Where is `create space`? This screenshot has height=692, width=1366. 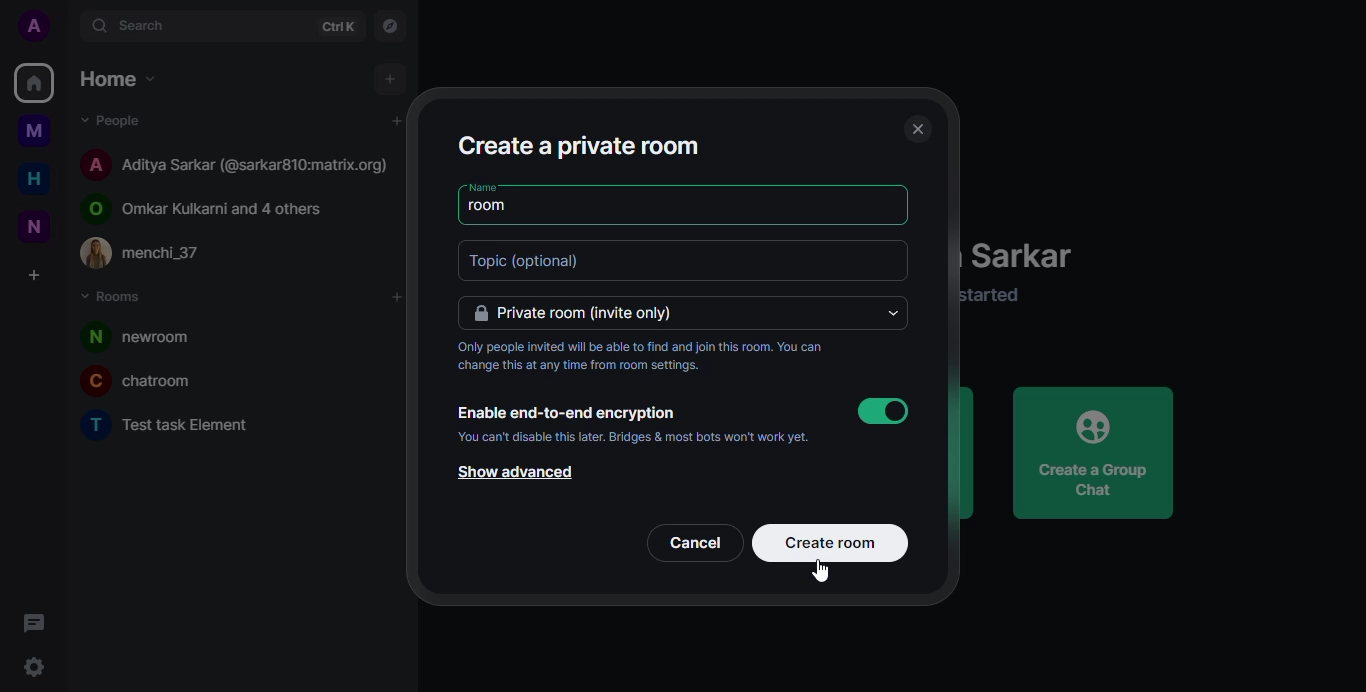 create space is located at coordinates (35, 277).